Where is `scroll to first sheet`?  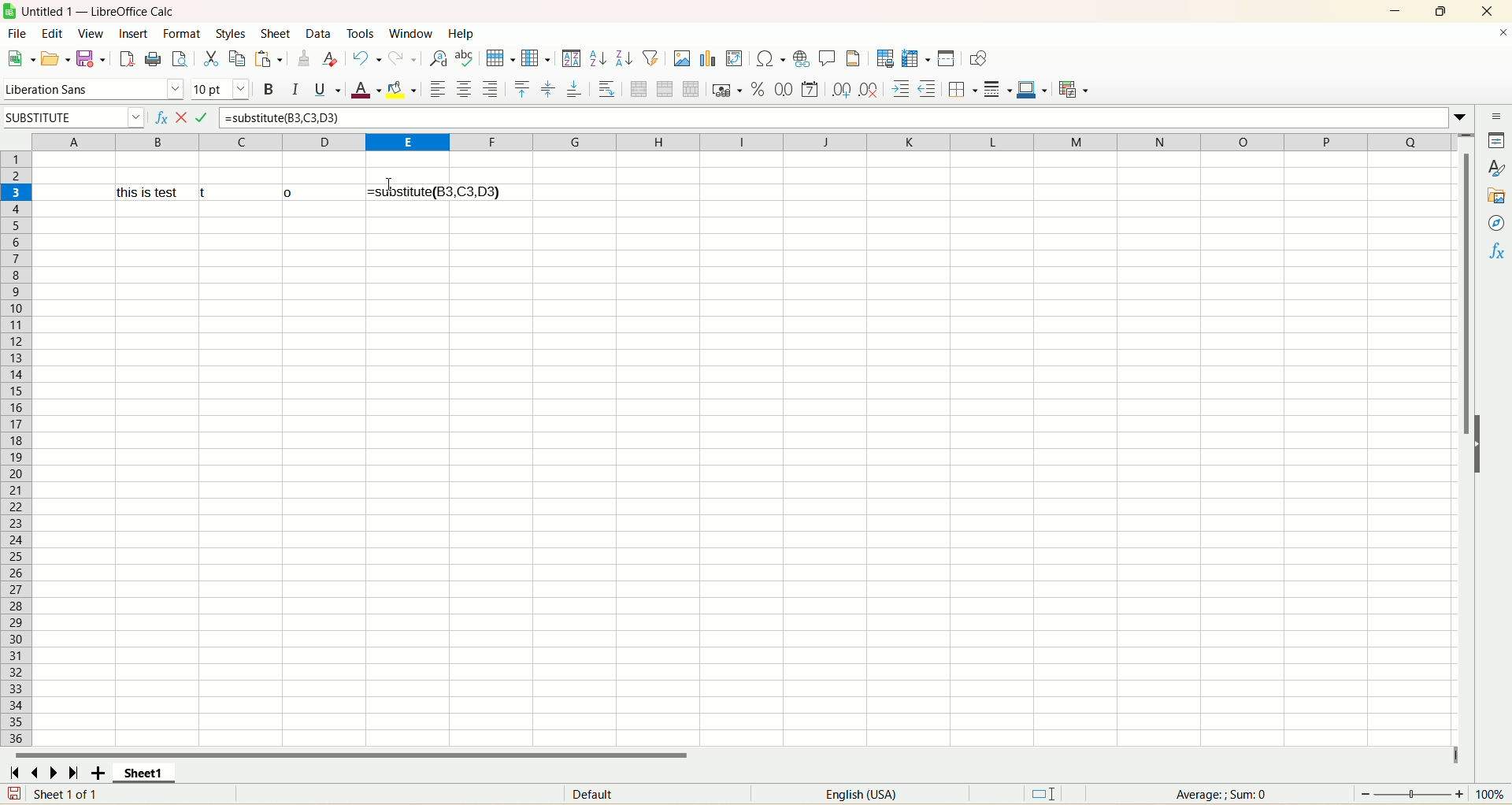 scroll to first sheet is located at coordinates (18, 769).